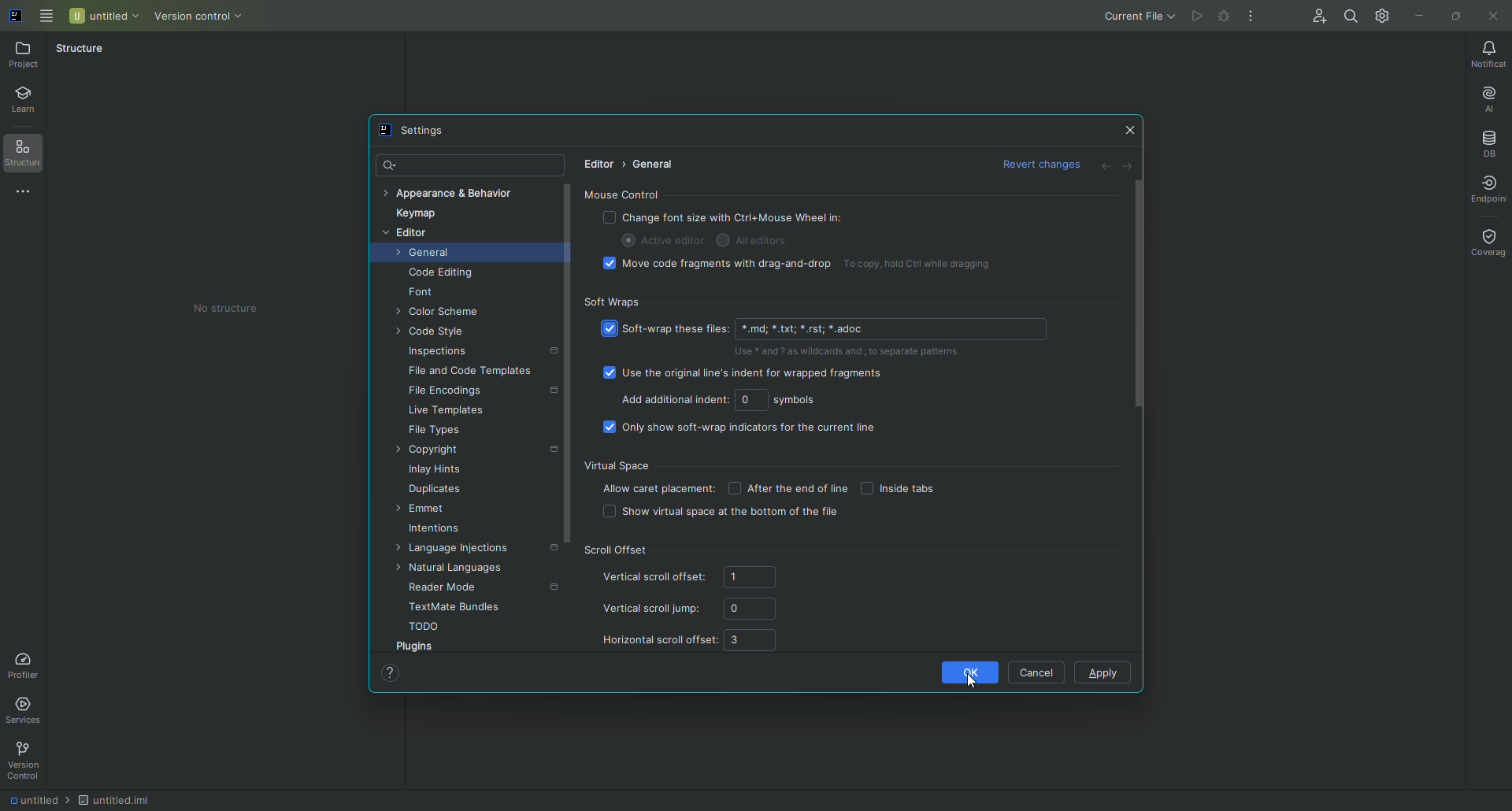 Image resolution: width=1512 pixels, height=811 pixels. I want to click on File Encodings, so click(450, 393).